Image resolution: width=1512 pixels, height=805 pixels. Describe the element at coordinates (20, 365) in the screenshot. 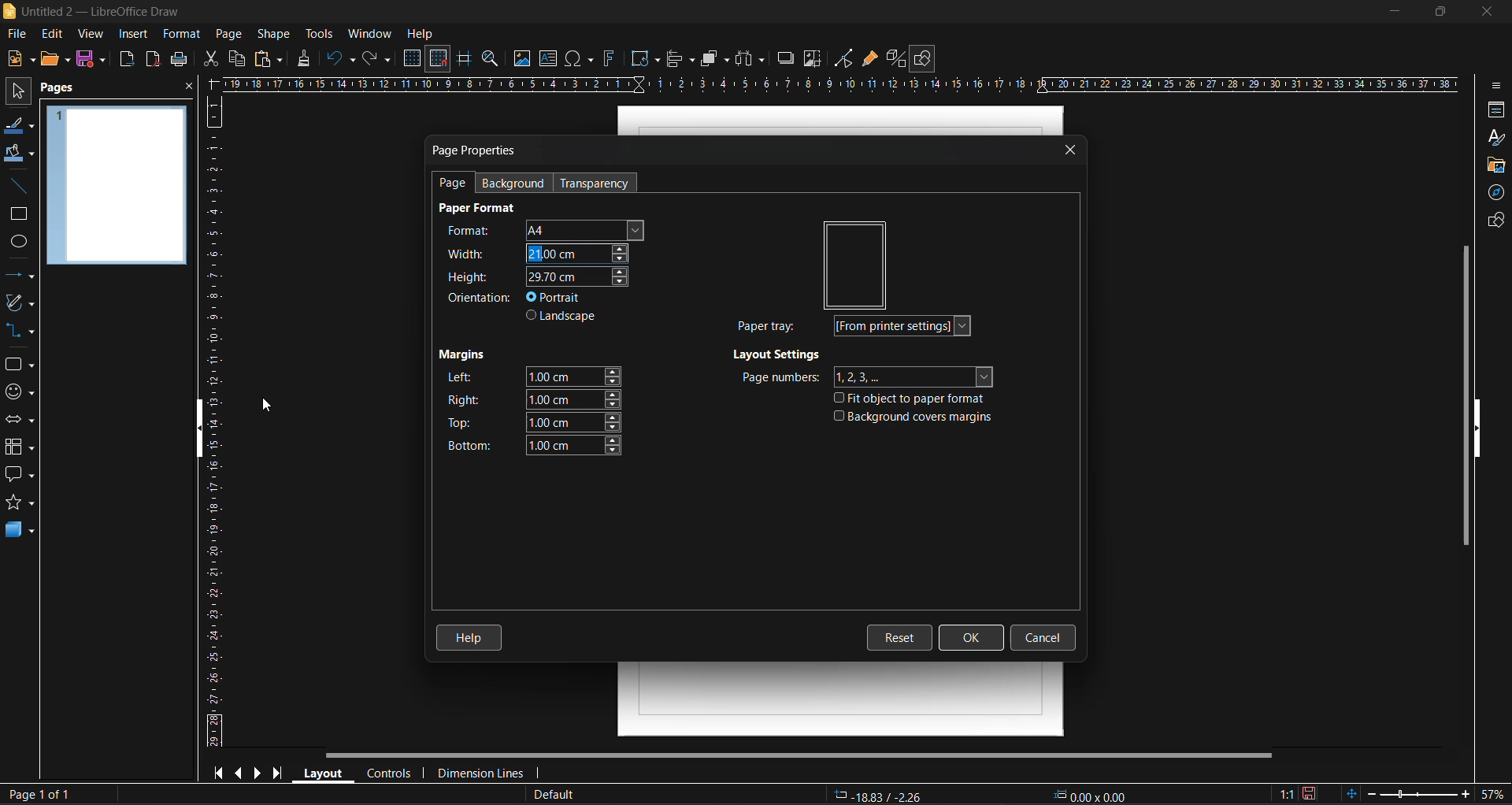

I see `basic shapes` at that location.